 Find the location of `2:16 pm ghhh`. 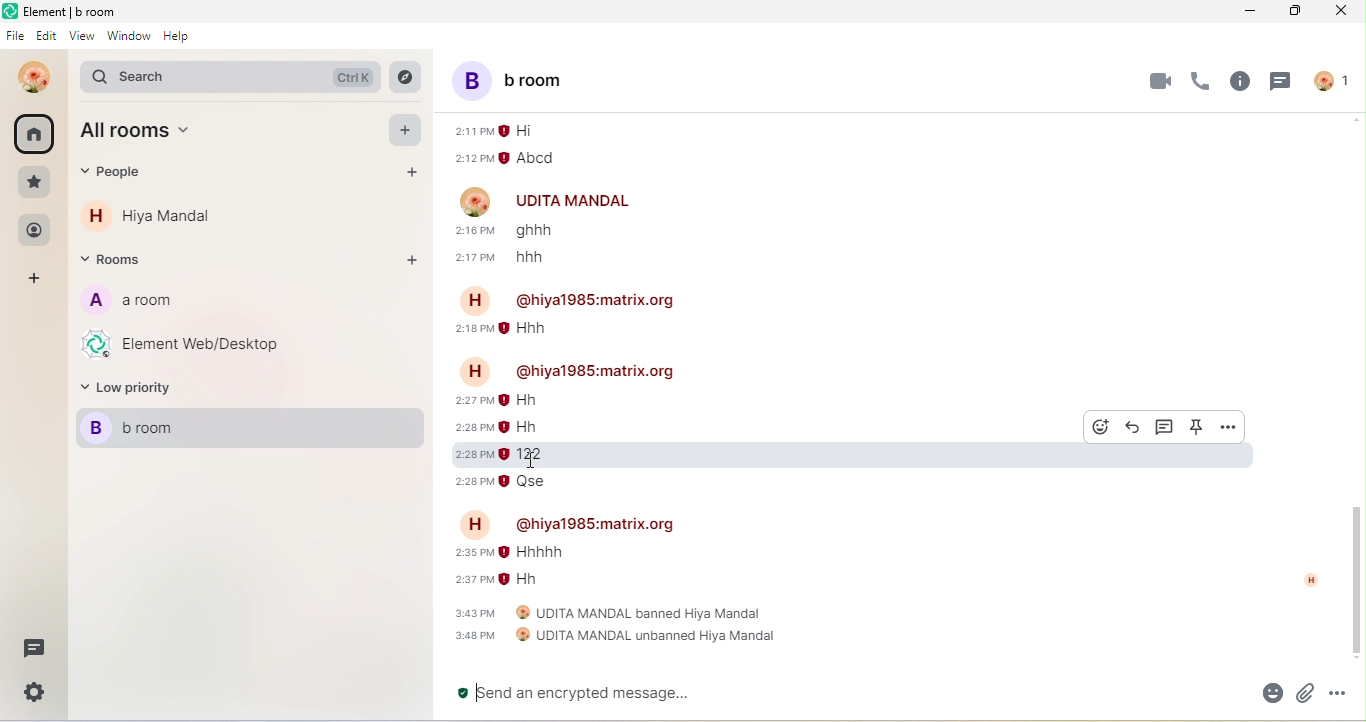

2:16 pm ghhh is located at coordinates (503, 231).